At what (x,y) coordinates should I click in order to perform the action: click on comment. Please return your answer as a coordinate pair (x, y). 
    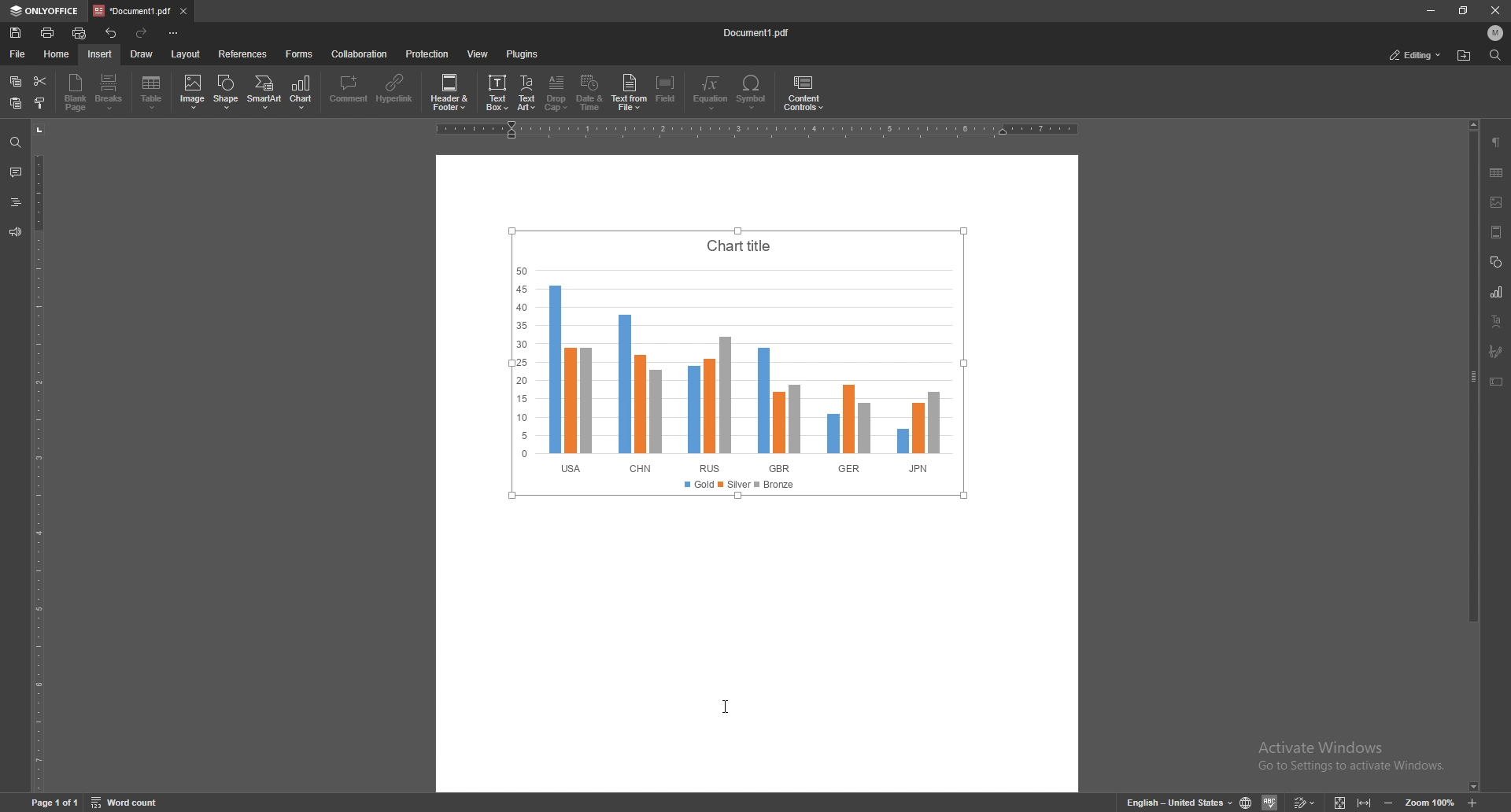
    Looking at the image, I should click on (348, 90).